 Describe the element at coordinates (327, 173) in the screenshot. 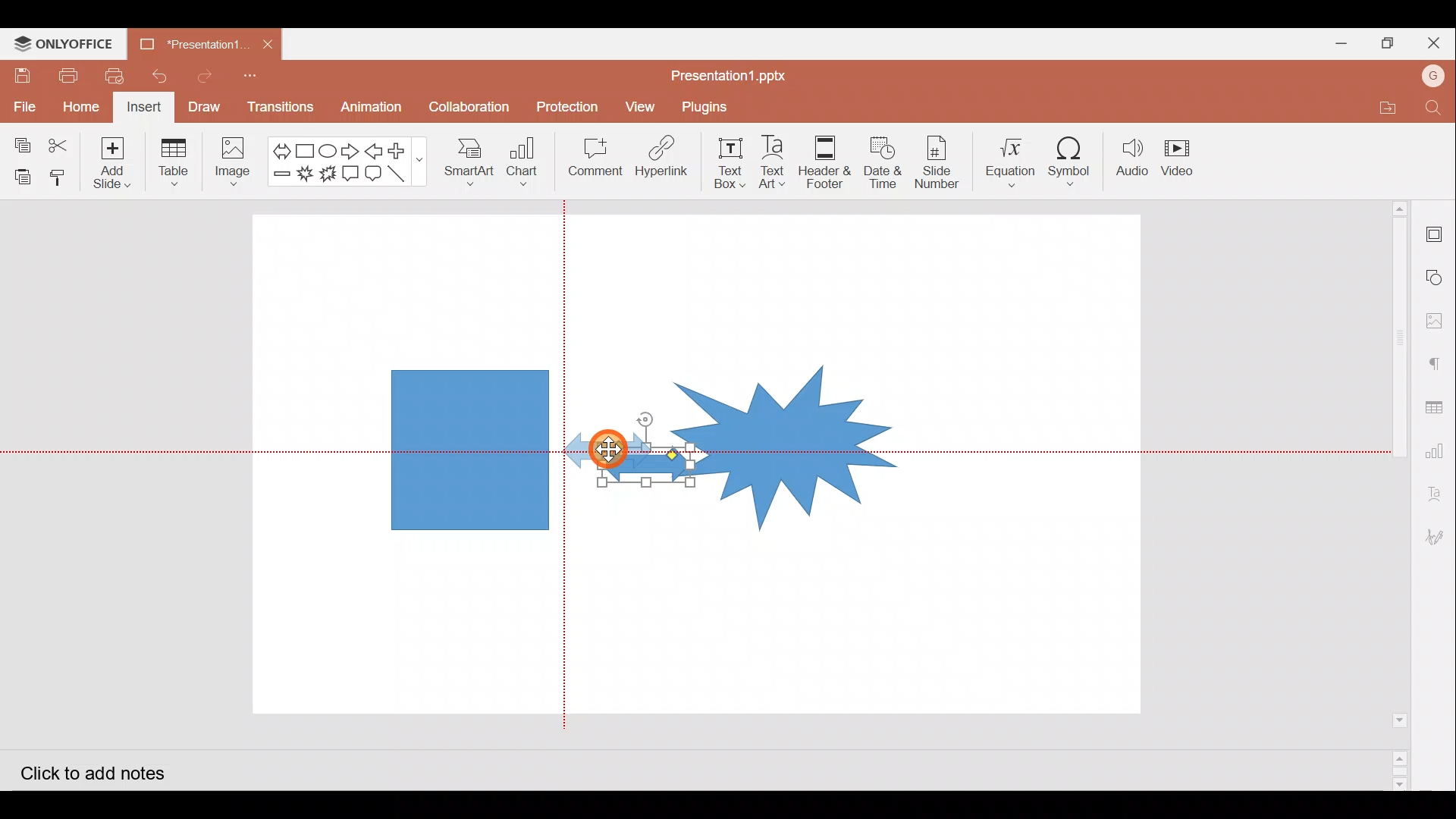

I see `Explosion 2` at that location.